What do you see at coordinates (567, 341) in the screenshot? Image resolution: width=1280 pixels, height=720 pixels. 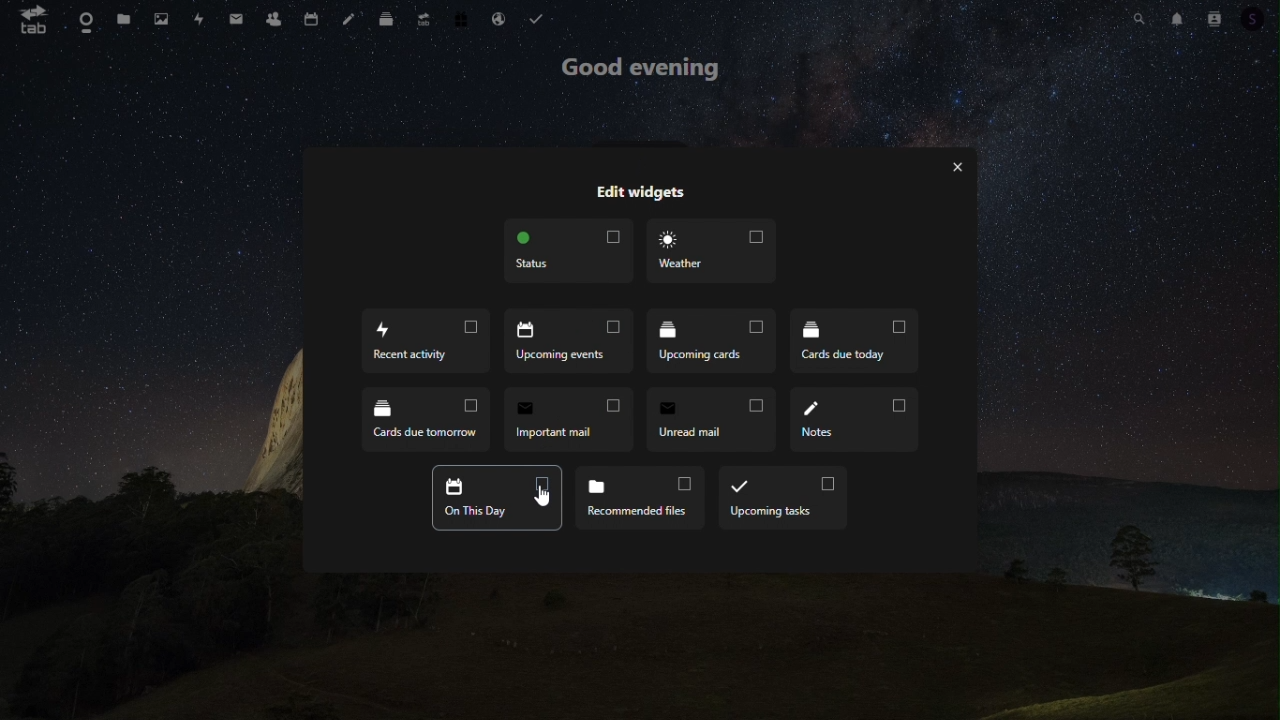 I see `Upcoming events` at bounding box center [567, 341].